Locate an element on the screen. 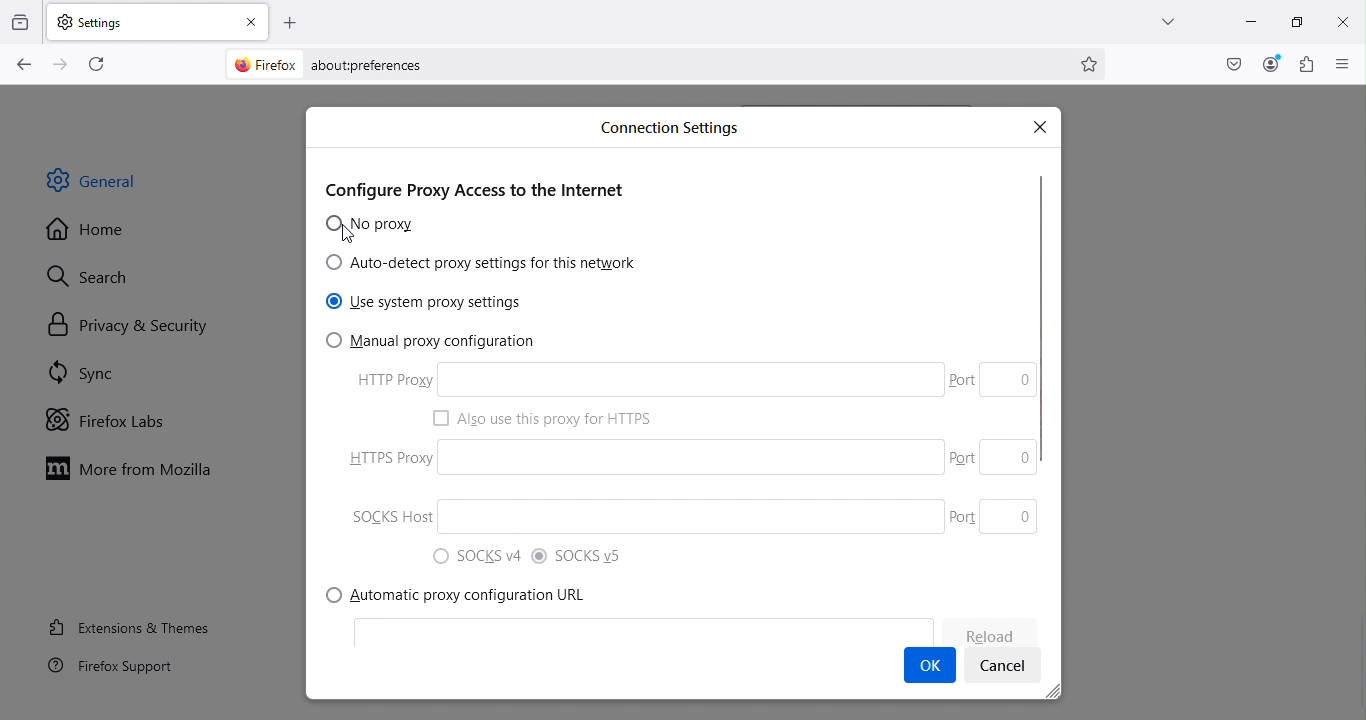 This screenshot has width=1366, height=720. Maximize tab is located at coordinates (1293, 19).